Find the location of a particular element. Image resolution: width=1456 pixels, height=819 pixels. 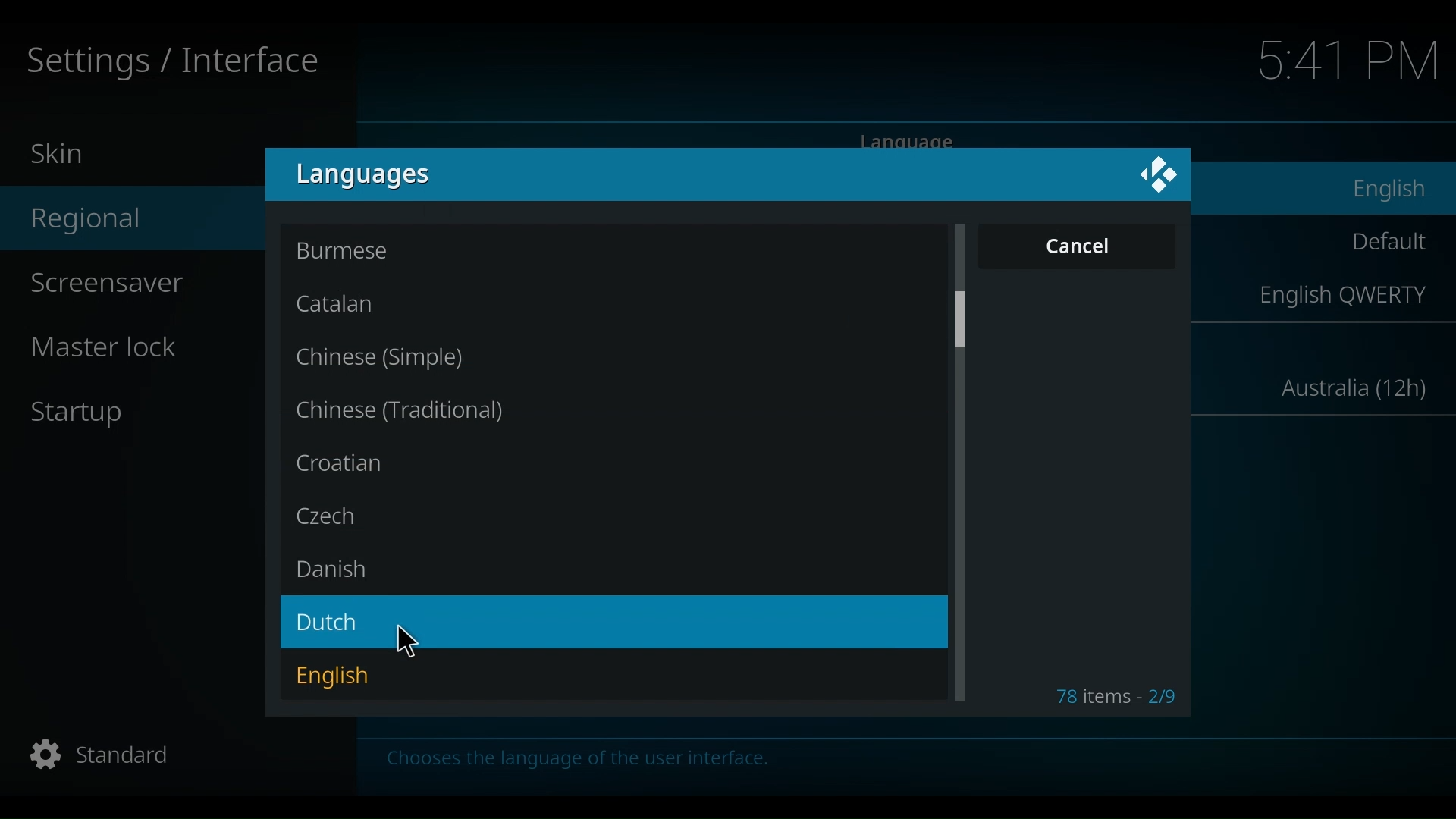

master lock is located at coordinates (121, 350).